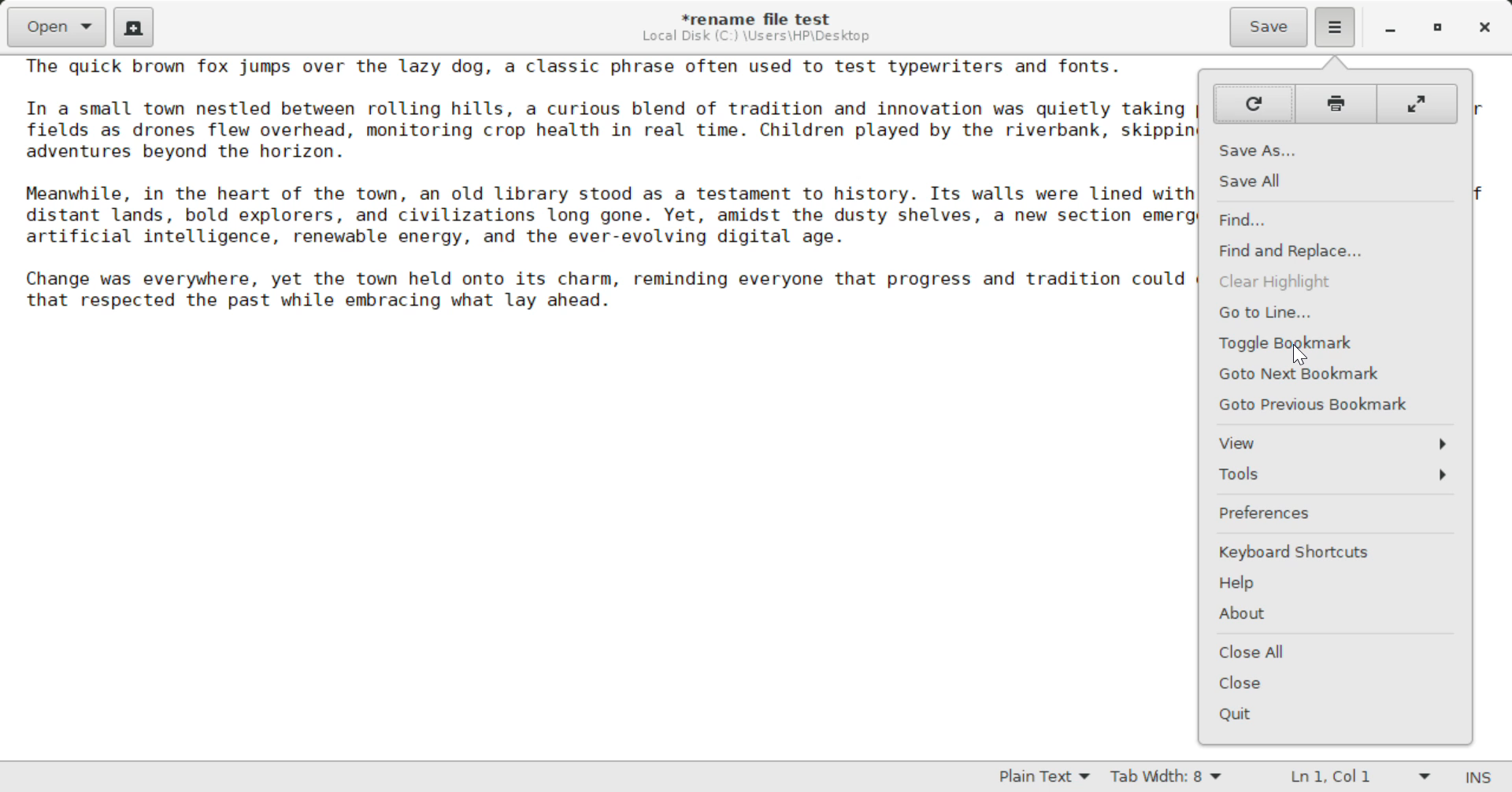 Image resolution: width=1512 pixels, height=792 pixels. I want to click on About, so click(1333, 613).